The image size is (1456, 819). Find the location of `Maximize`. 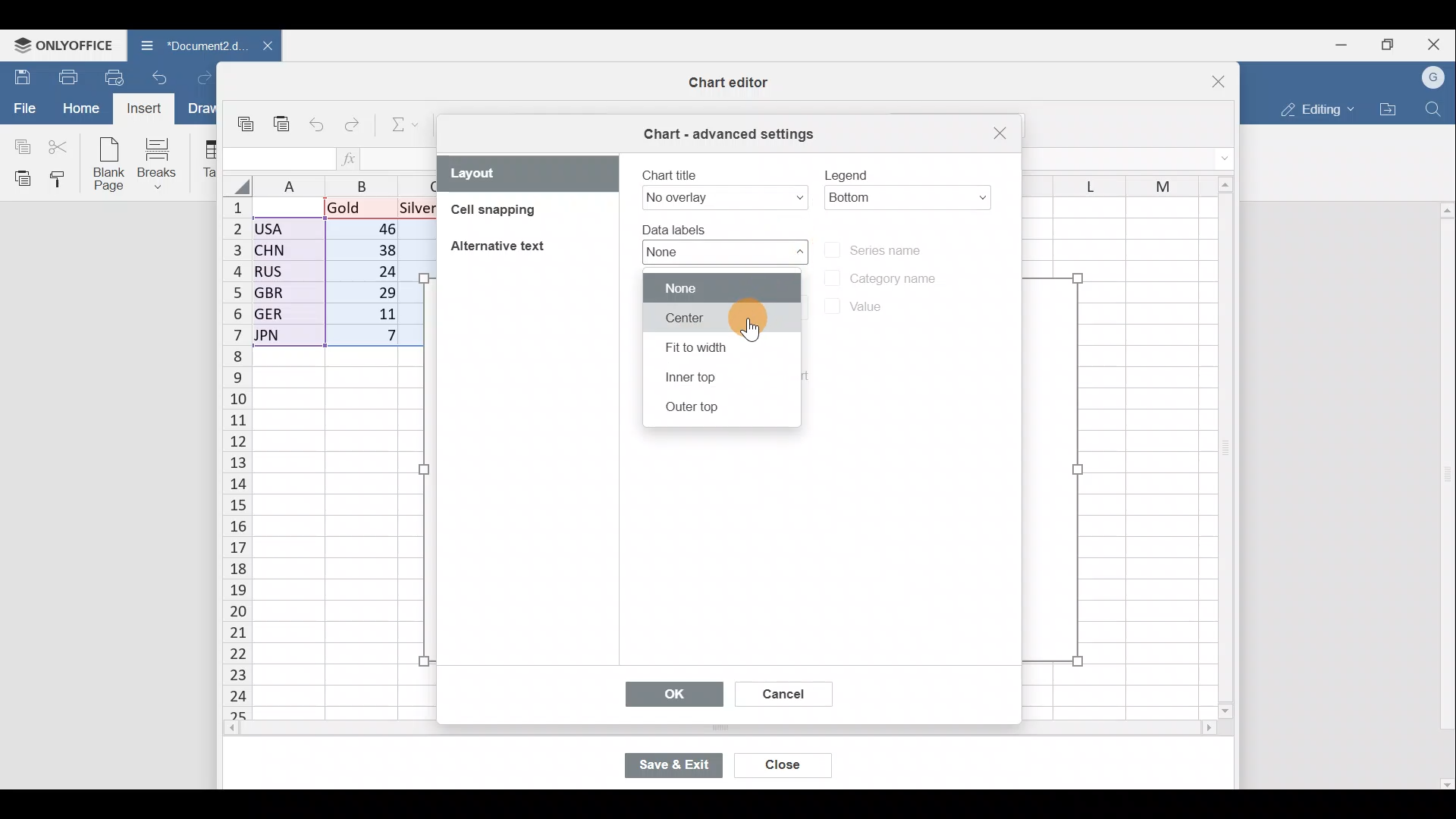

Maximize is located at coordinates (1394, 43).